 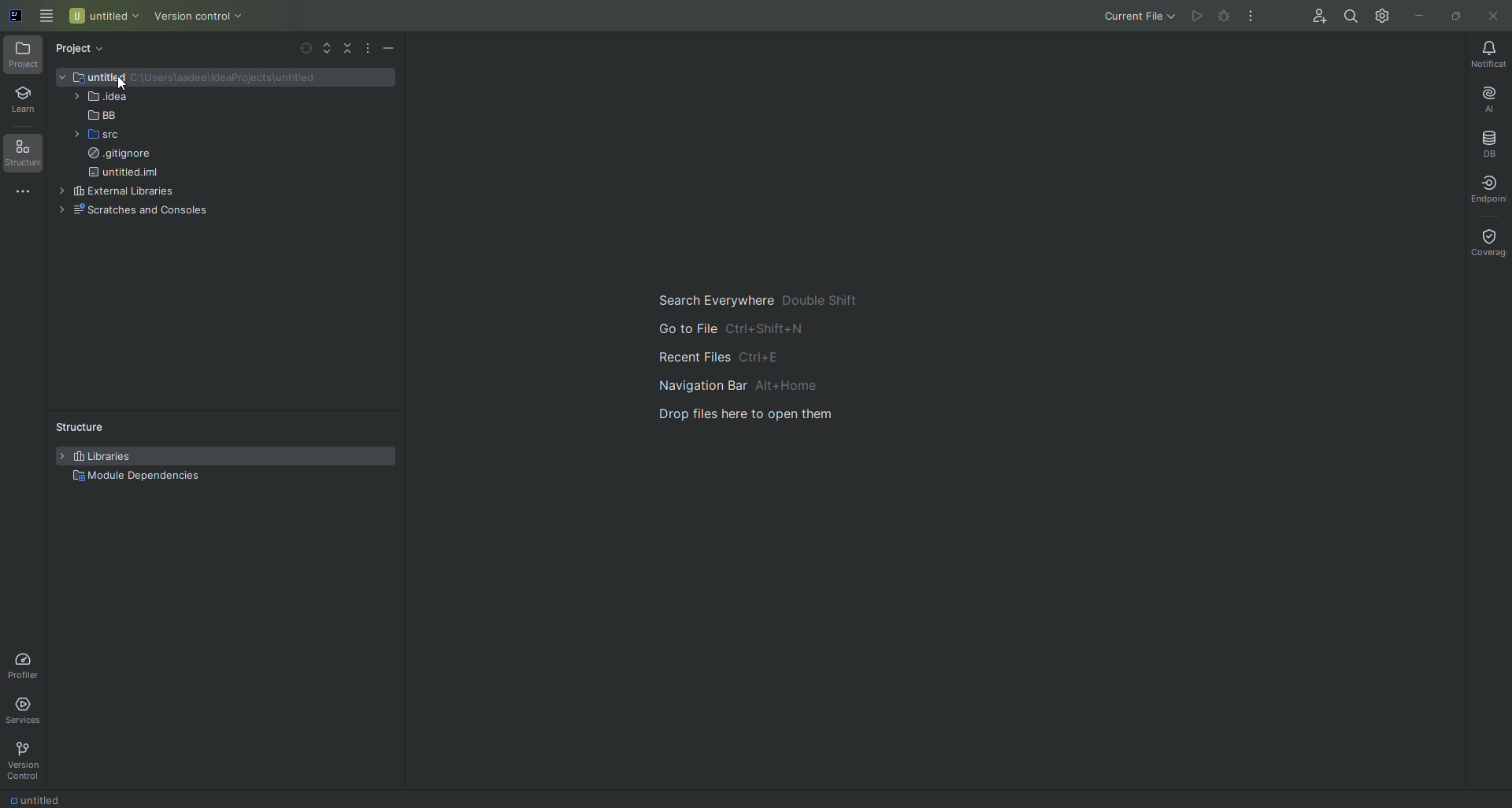 What do you see at coordinates (100, 98) in the screenshot?
I see `.idea` at bounding box center [100, 98].